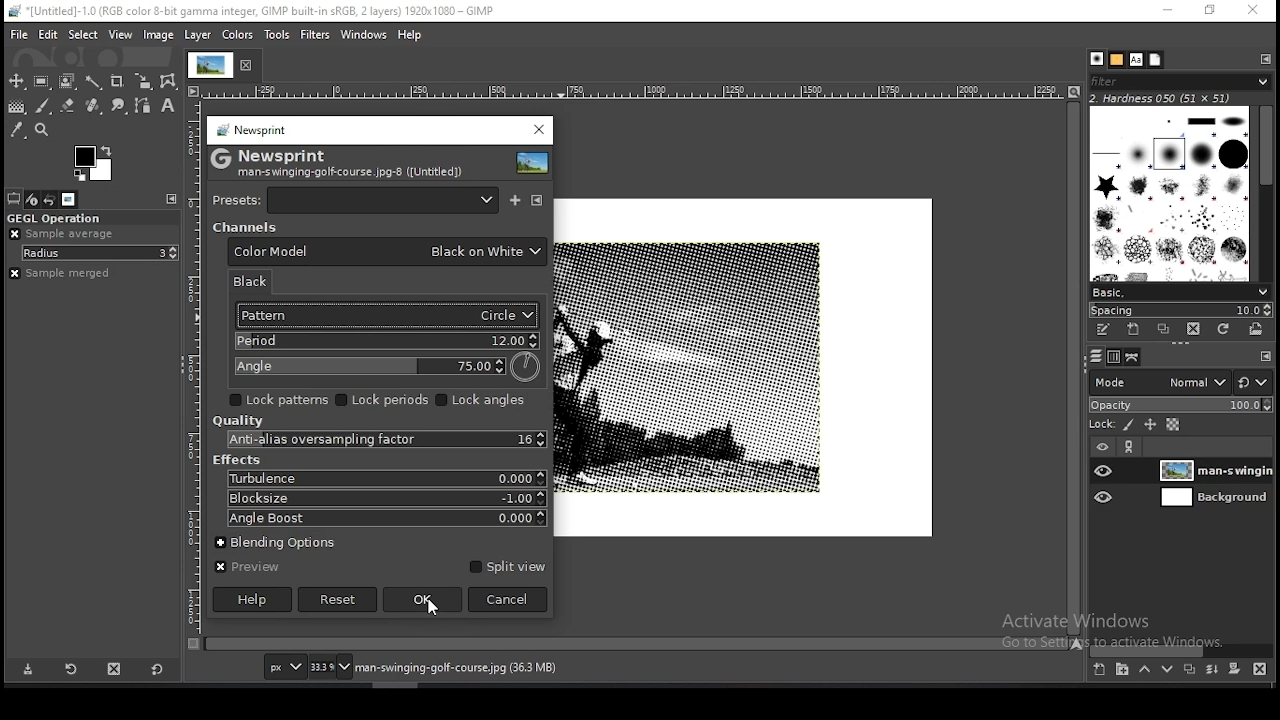 The image size is (1280, 720). I want to click on fonts, so click(1137, 60).